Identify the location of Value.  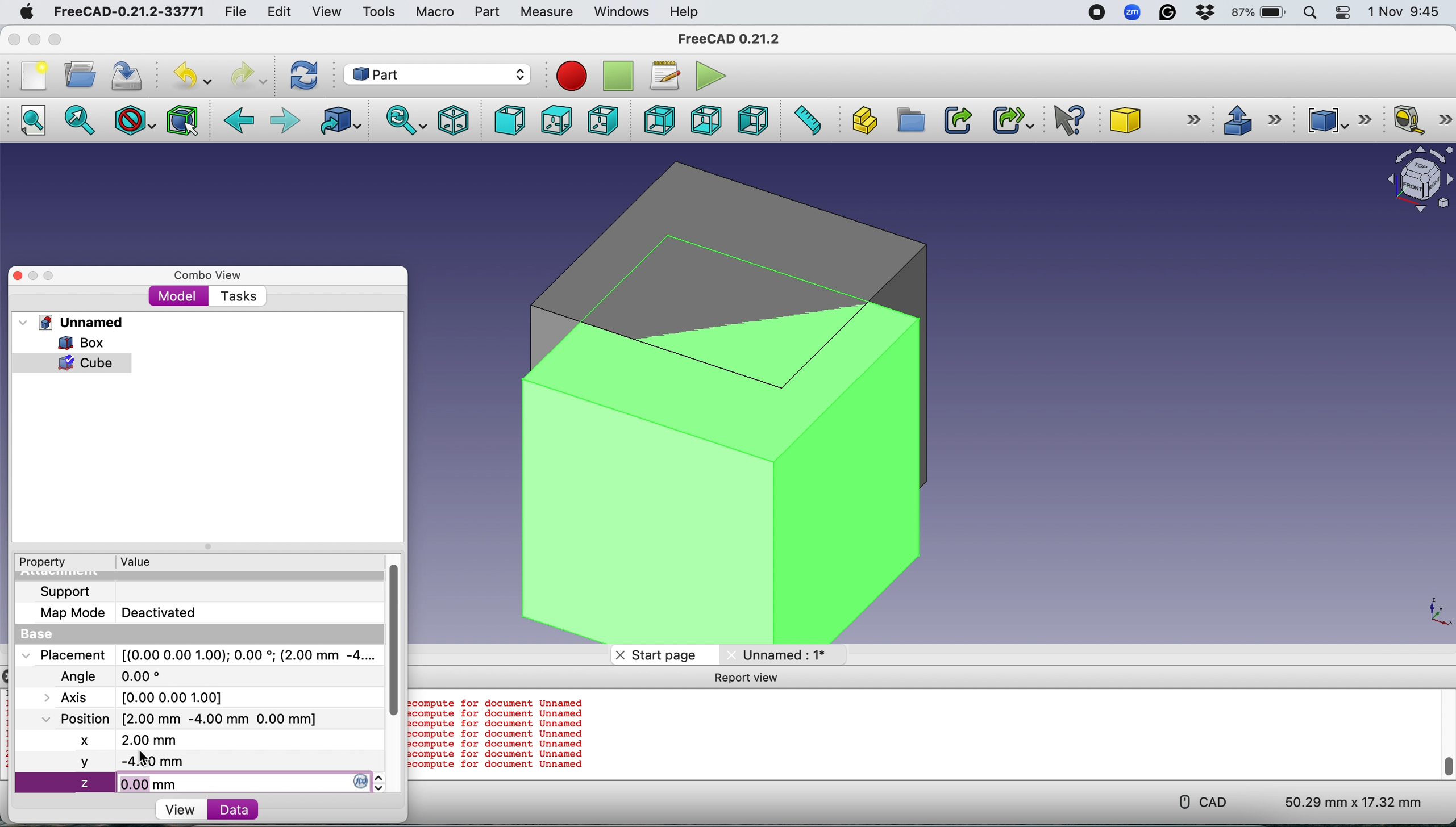
(140, 561).